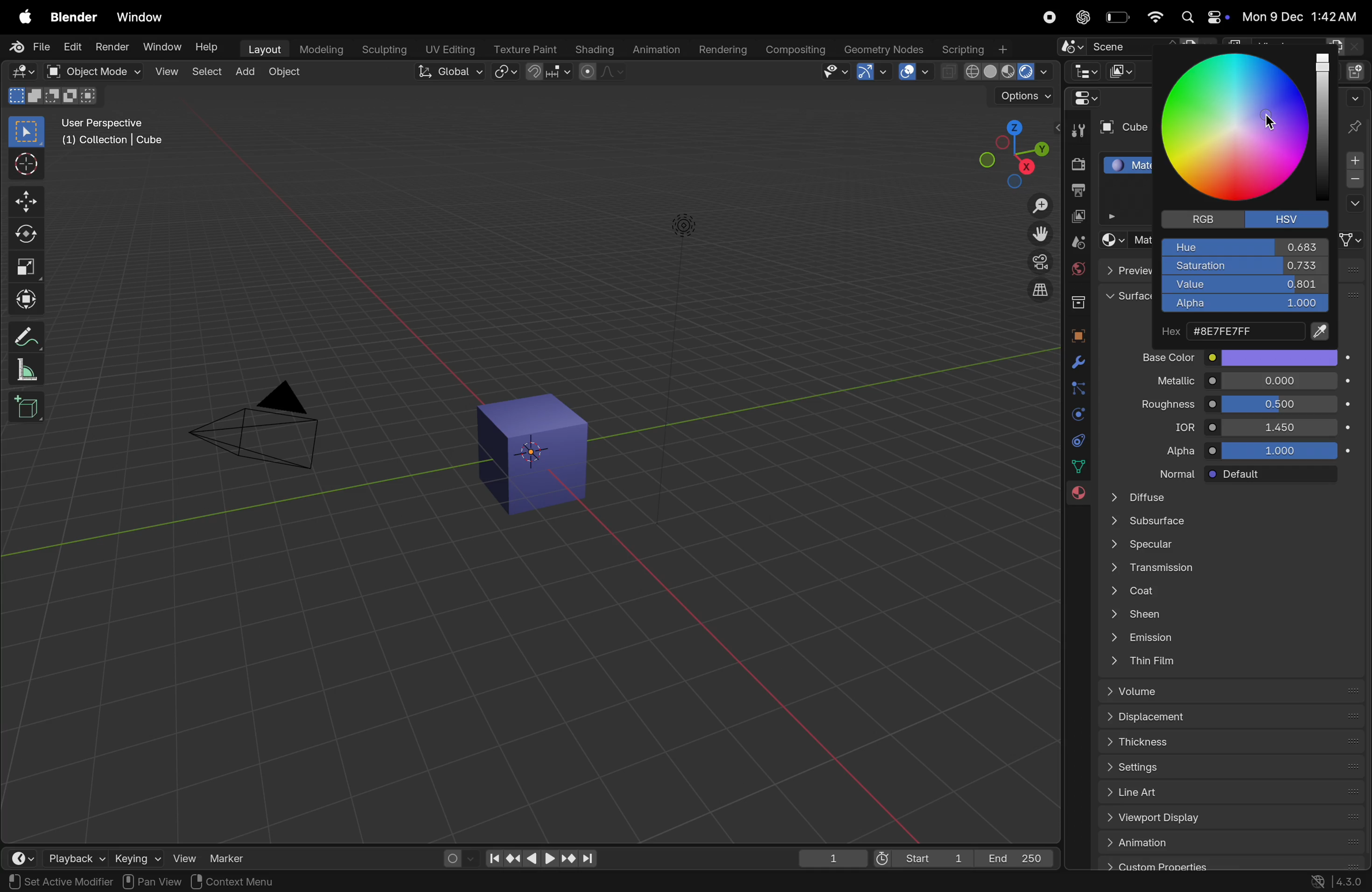 This screenshot has width=1372, height=892. I want to click on move, so click(25, 201).